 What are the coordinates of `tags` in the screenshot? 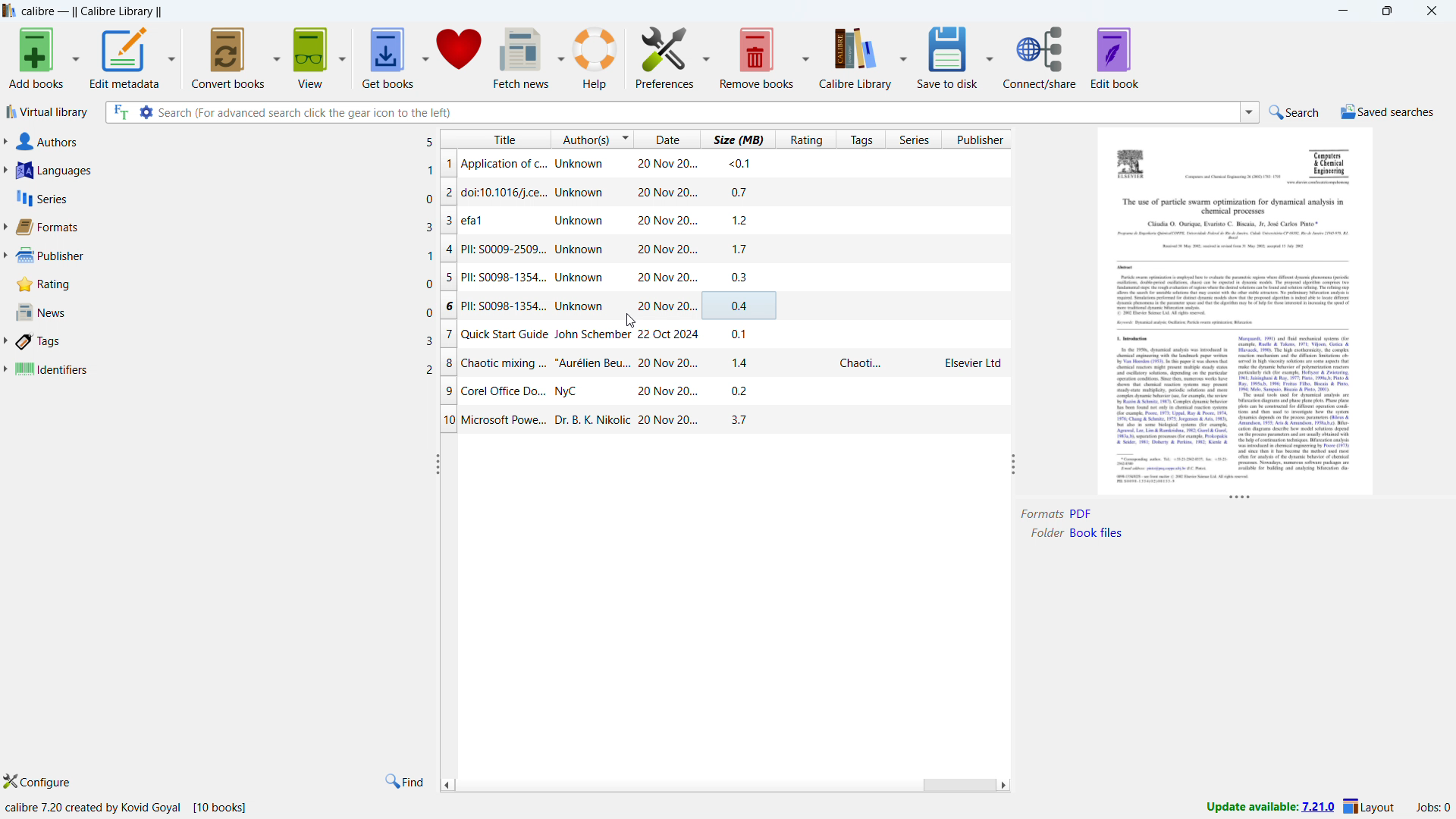 It's located at (219, 340).